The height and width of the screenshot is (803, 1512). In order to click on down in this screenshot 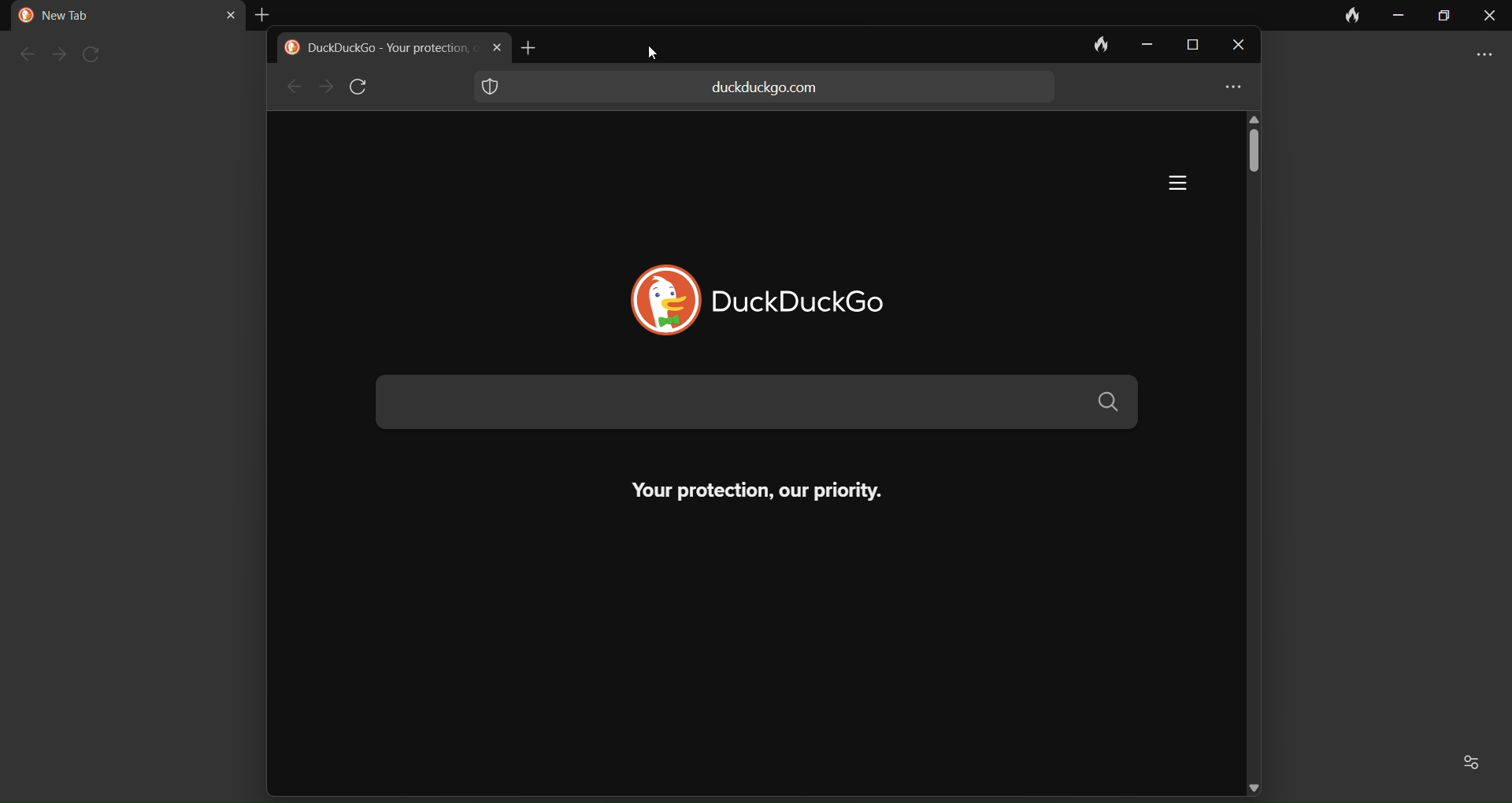, I will do `click(1256, 778)`.